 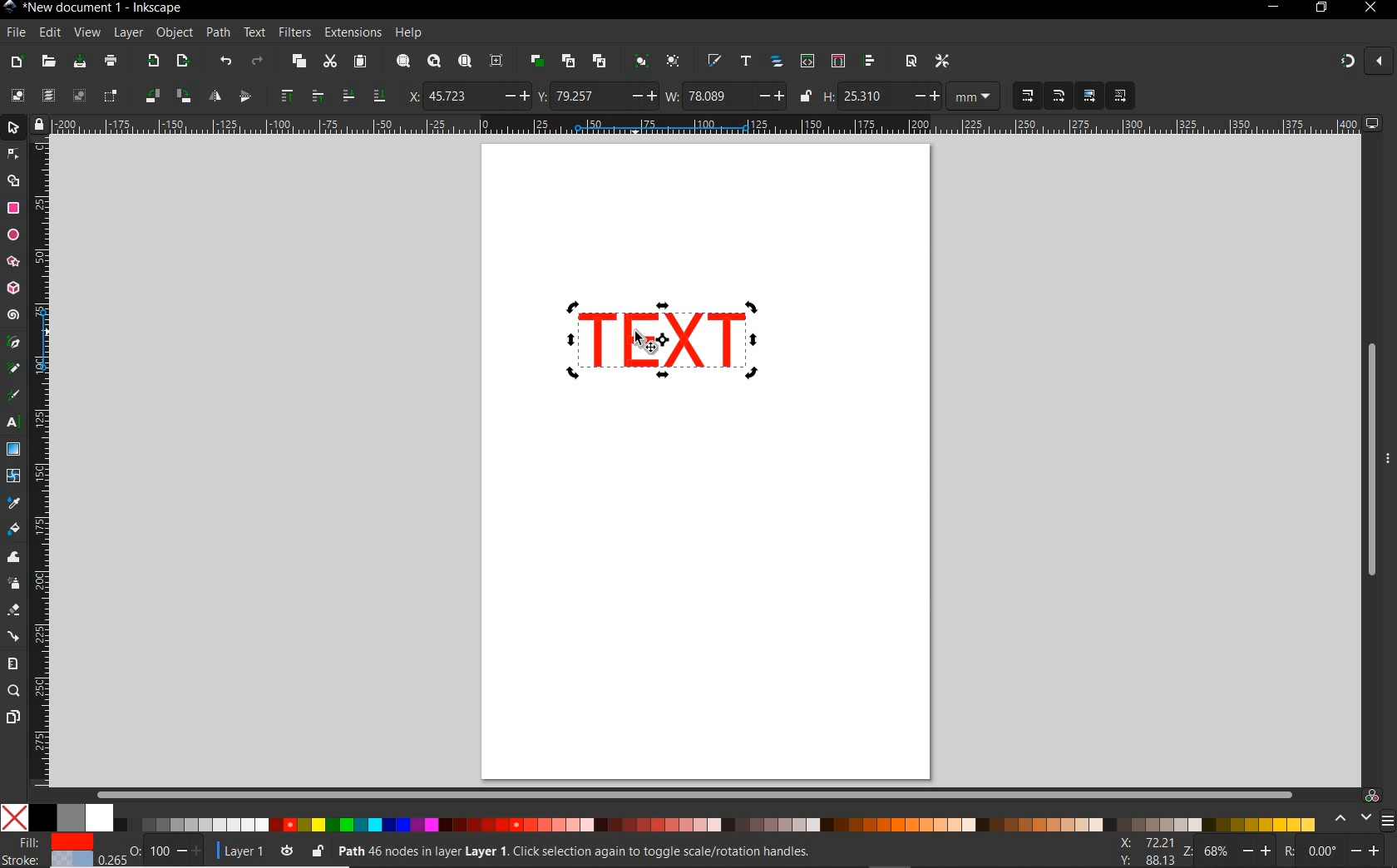 What do you see at coordinates (225, 60) in the screenshot?
I see `UNDO` at bounding box center [225, 60].